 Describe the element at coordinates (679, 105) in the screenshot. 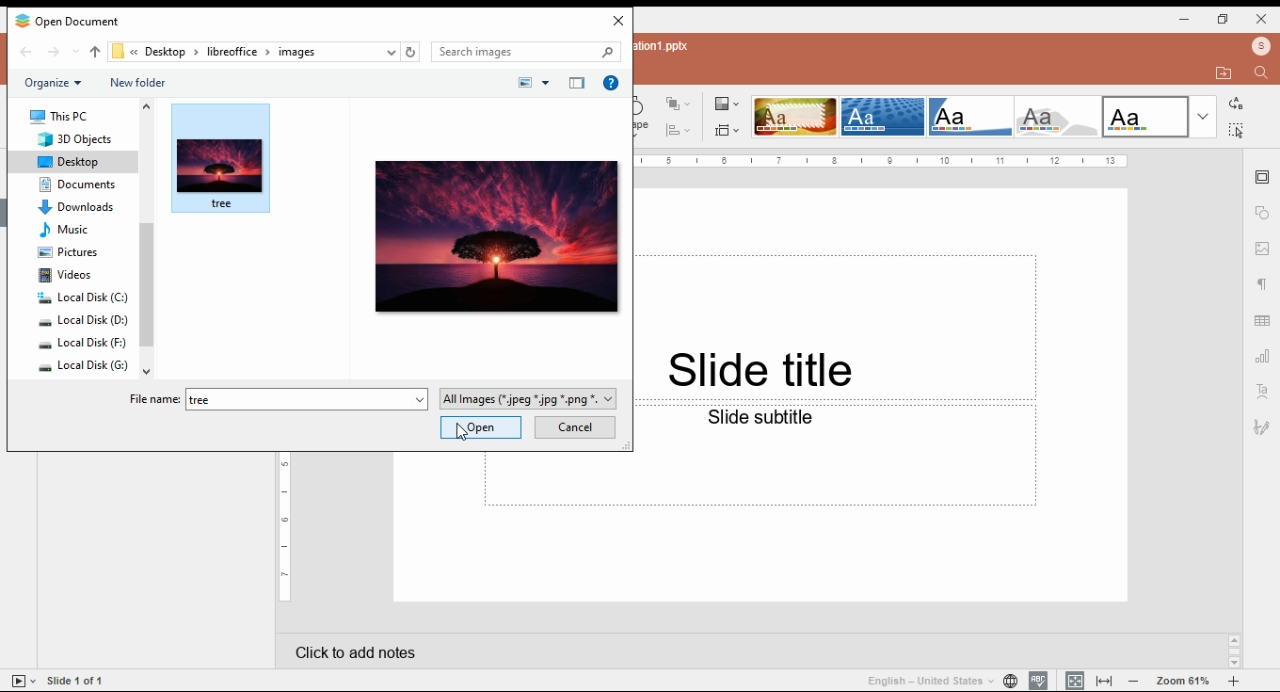

I see `arrange shapes` at that location.